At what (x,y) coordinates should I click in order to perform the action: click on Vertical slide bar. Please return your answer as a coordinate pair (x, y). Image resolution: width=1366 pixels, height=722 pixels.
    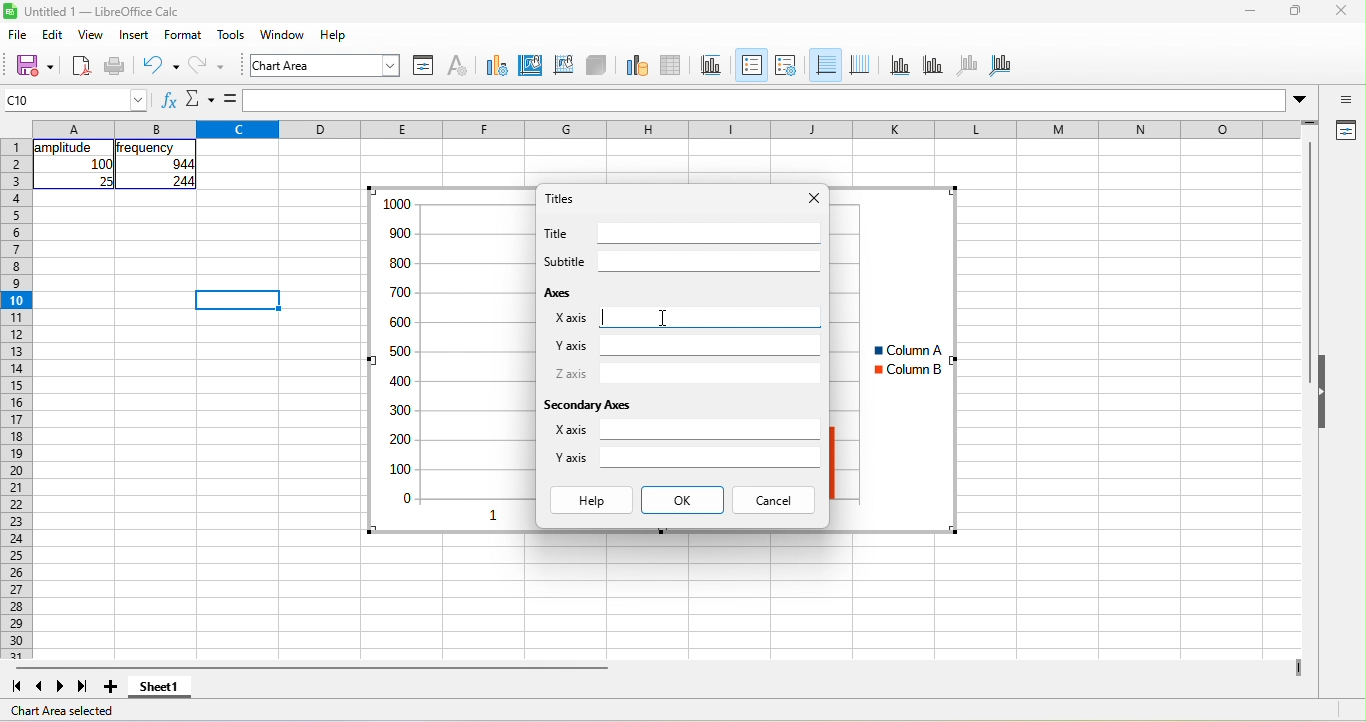
    Looking at the image, I should click on (1309, 262).